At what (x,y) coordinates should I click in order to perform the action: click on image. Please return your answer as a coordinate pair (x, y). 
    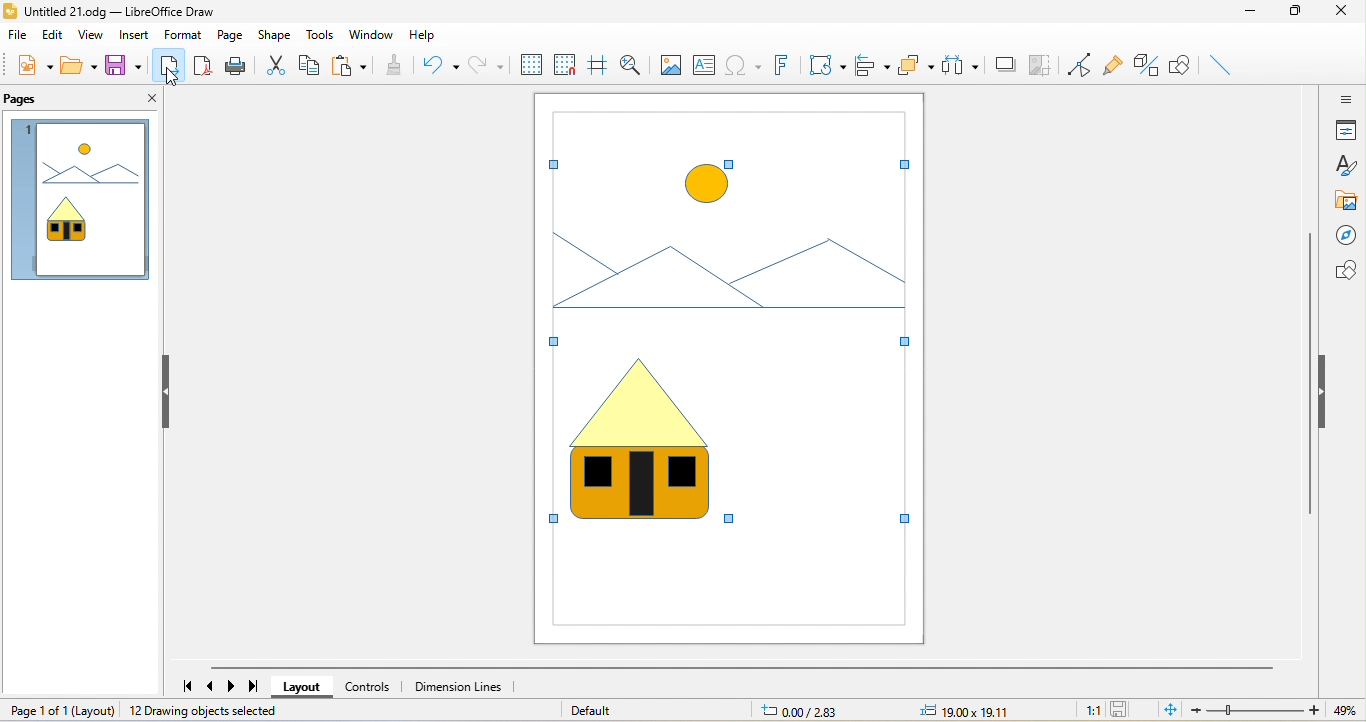
    Looking at the image, I should click on (670, 65).